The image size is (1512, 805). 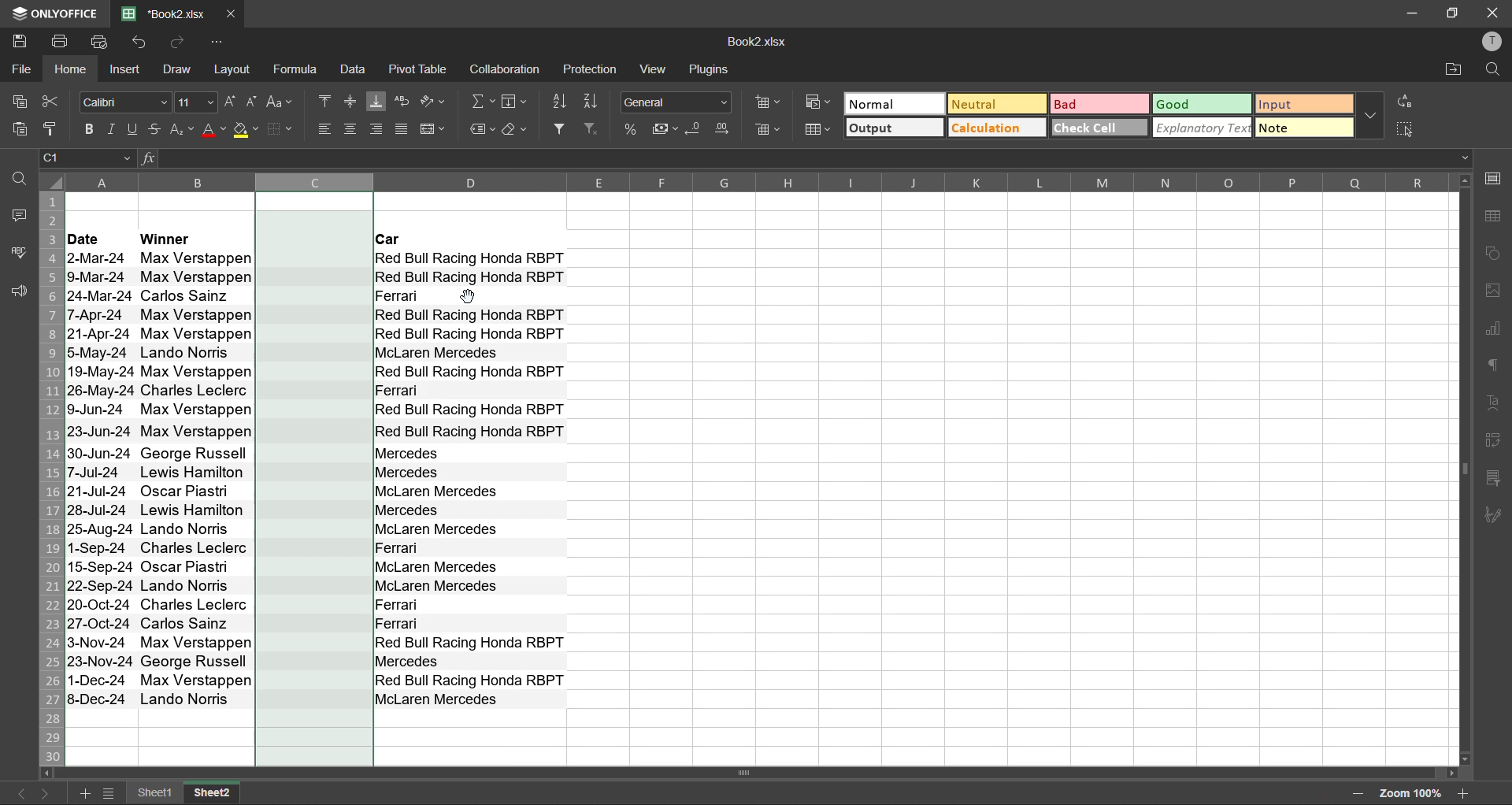 What do you see at coordinates (183, 72) in the screenshot?
I see `draw` at bounding box center [183, 72].